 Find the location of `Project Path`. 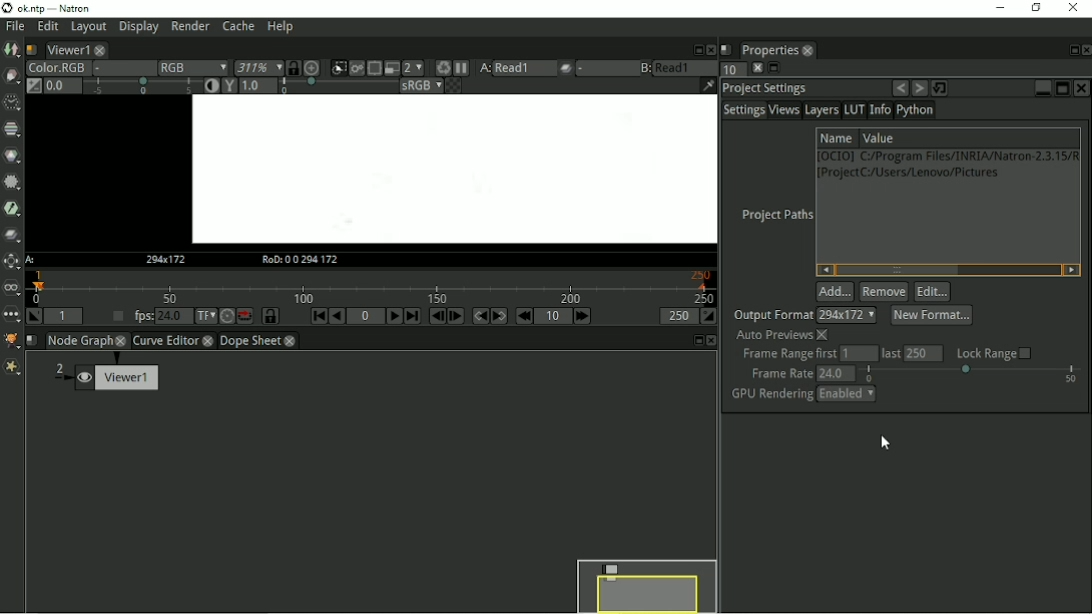

Project Path is located at coordinates (948, 167).